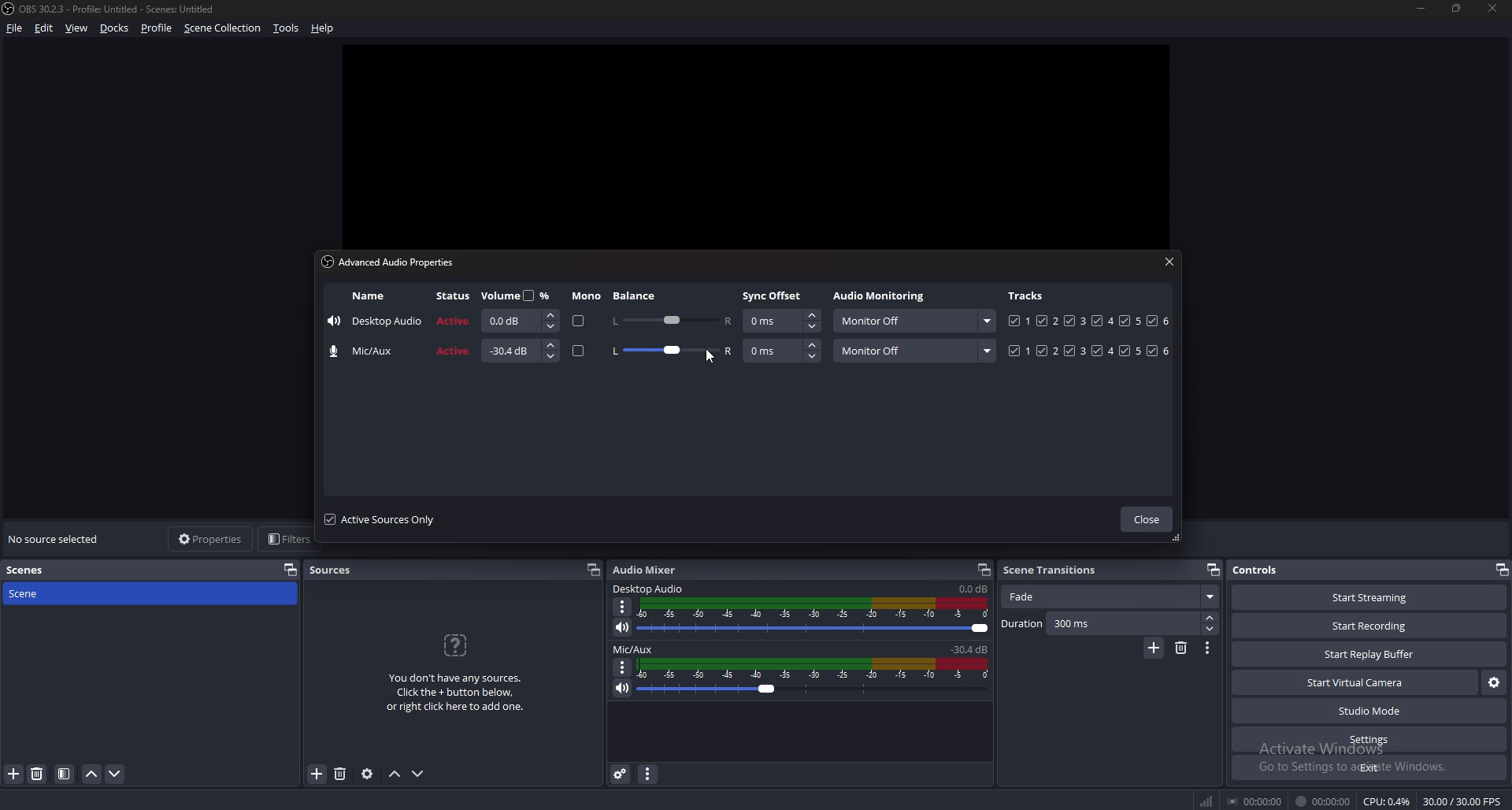 Image resolution: width=1512 pixels, height=810 pixels. What do you see at coordinates (587, 296) in the screenshot?
I see `mono` at bounding box center [587, 296].